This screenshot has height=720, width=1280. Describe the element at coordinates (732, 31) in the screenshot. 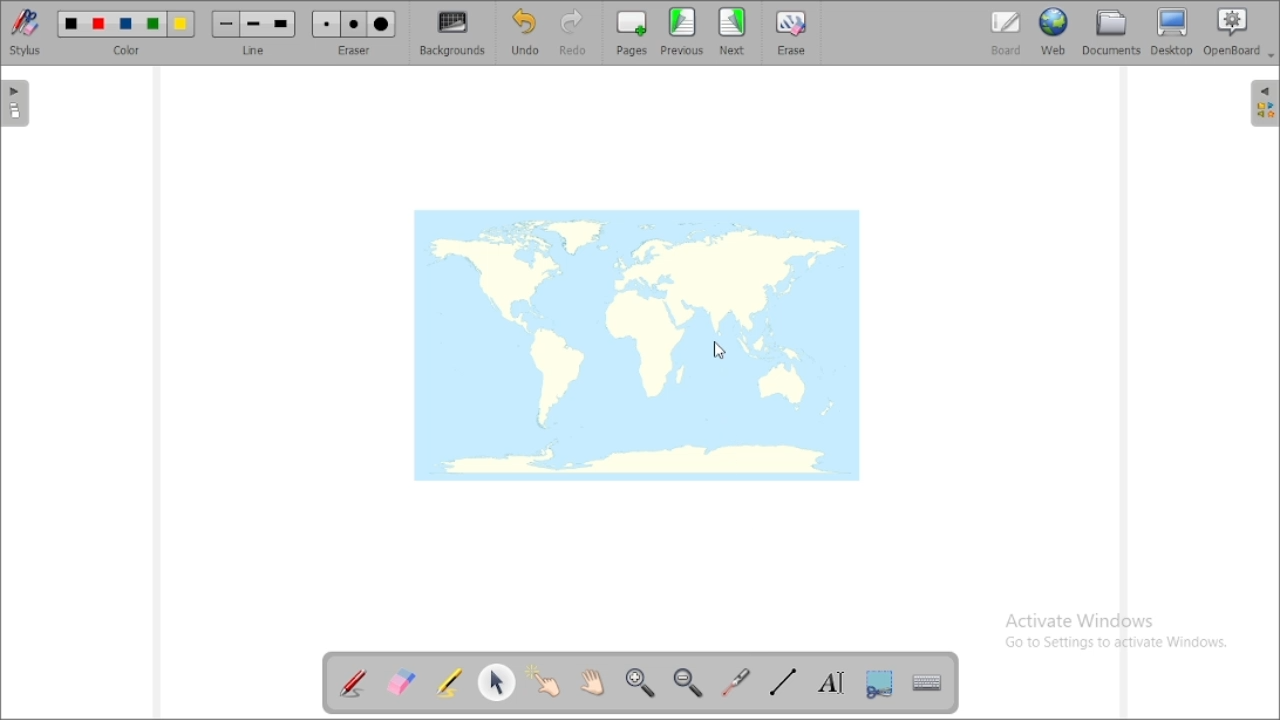

I see `next` at that location.